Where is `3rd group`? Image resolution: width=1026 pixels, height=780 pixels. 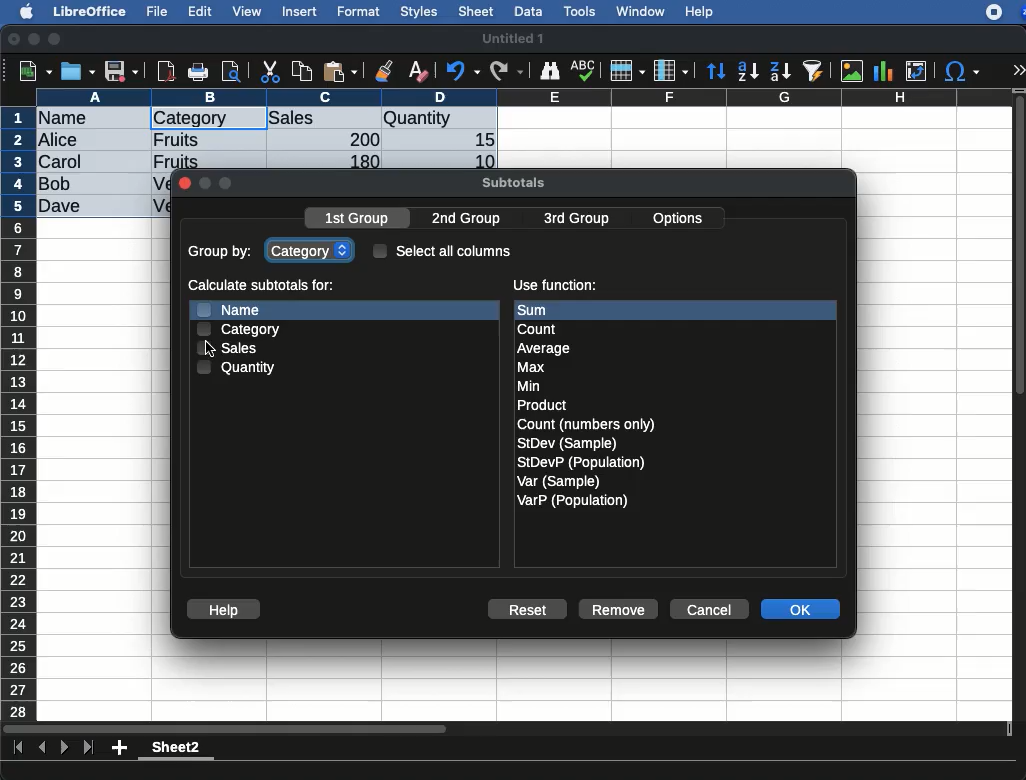
3rd group is located at coordinates (576, 220).